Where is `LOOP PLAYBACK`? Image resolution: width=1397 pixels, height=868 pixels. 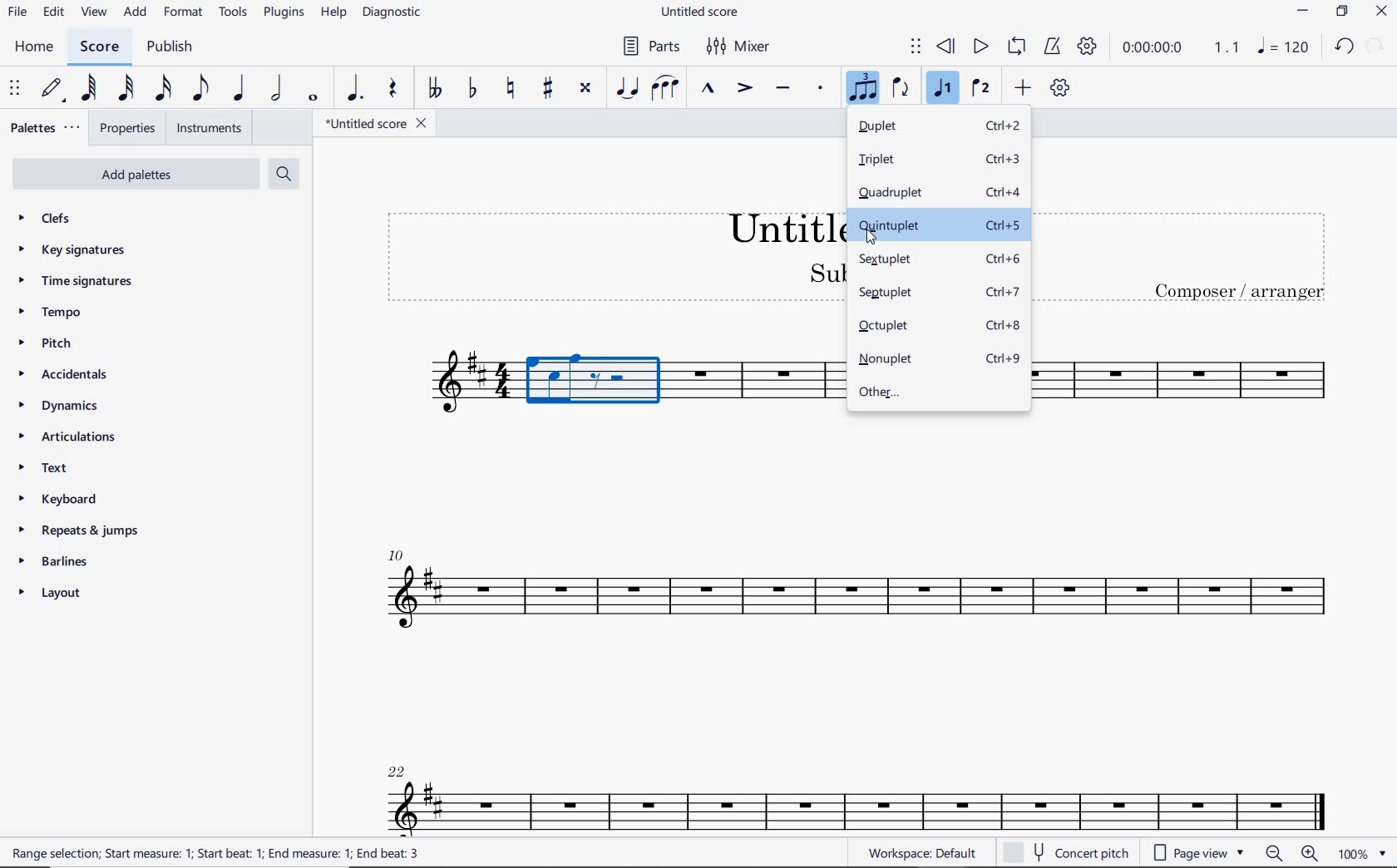 LOOP PLAYBACK is located at coordinates (1019, 47).